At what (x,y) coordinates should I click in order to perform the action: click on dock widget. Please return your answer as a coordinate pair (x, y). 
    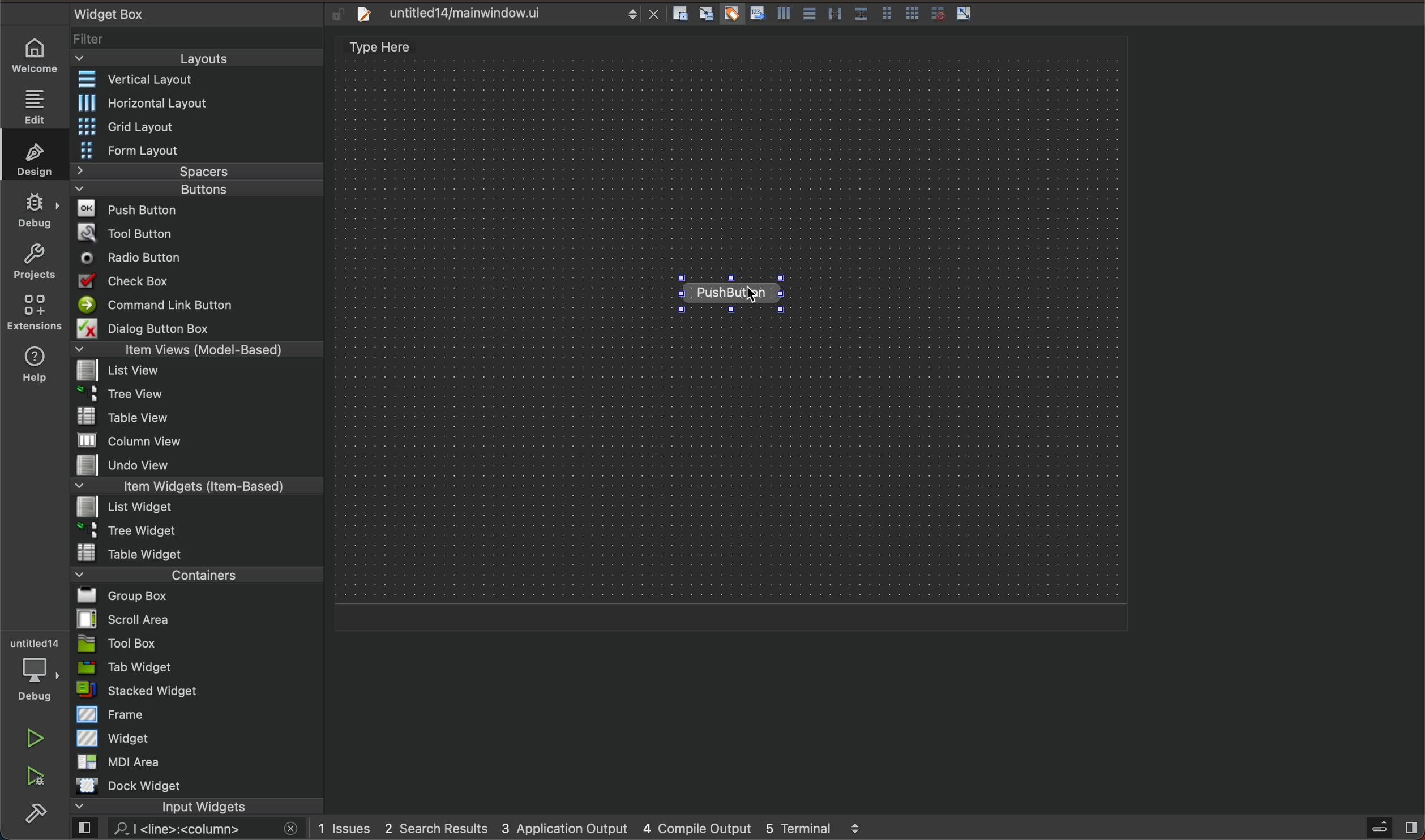
    Looking at the image, I should click on (195, 786).